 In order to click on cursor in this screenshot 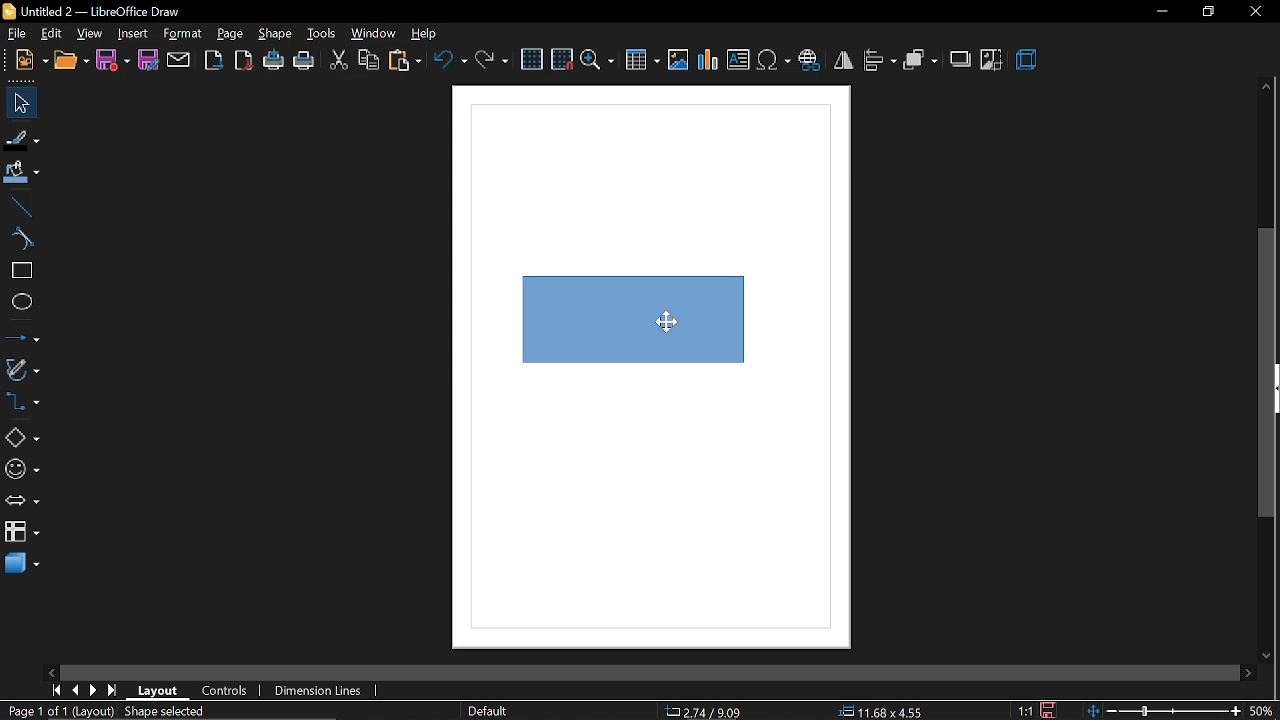, I will do `click(670, 323)`.